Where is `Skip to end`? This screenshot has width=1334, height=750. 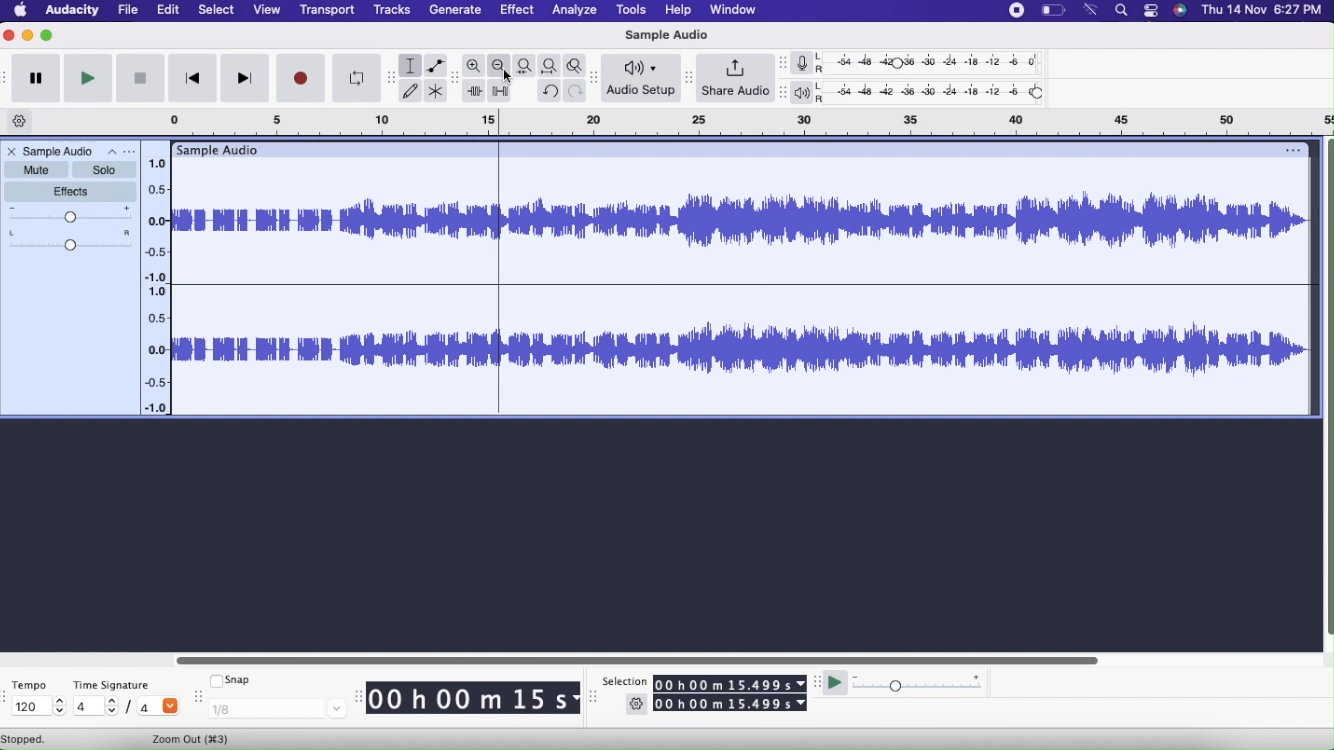
Skip to end is located at coordinates (244, 78).